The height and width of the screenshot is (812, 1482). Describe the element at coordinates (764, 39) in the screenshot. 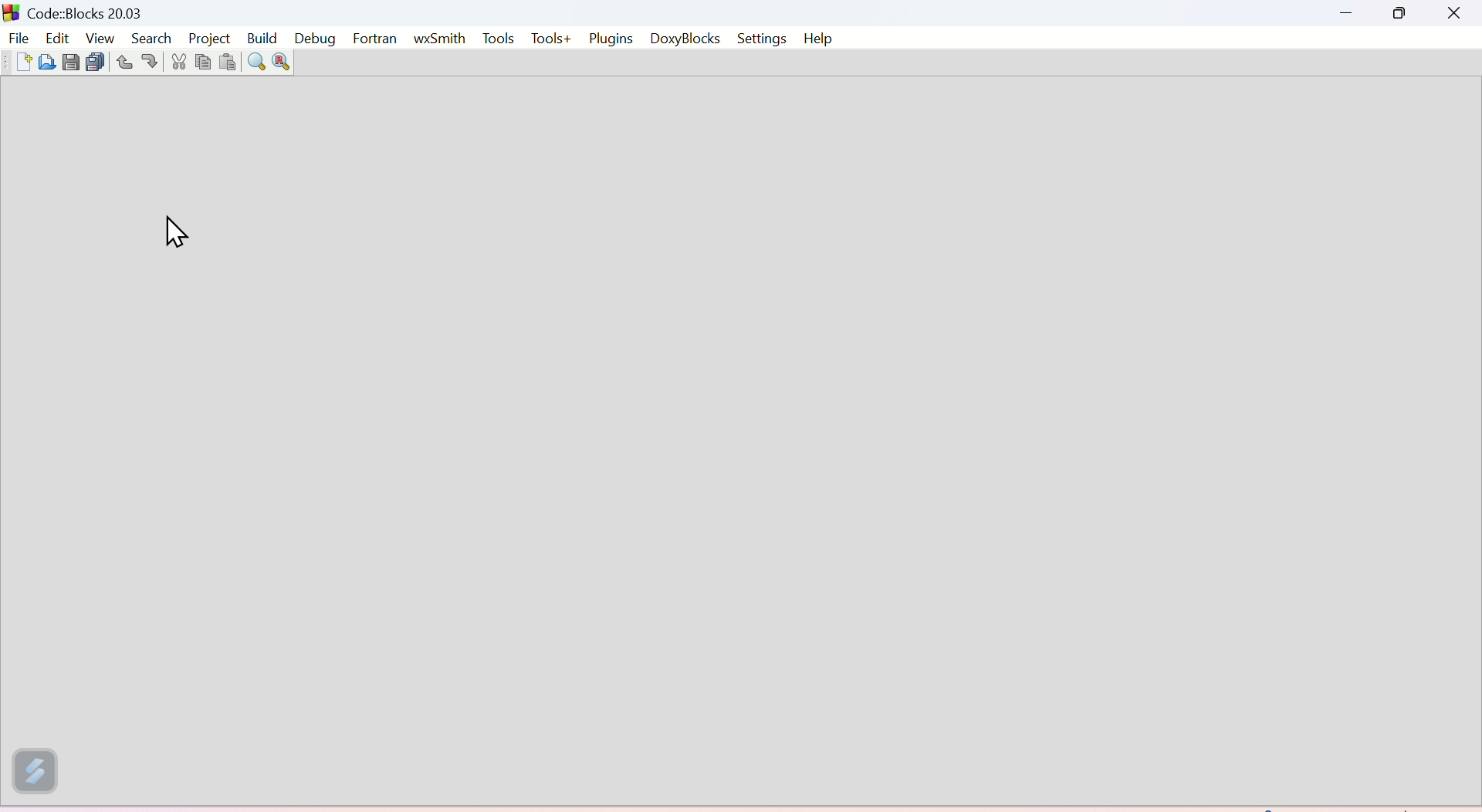

I see `Settings` at that location.